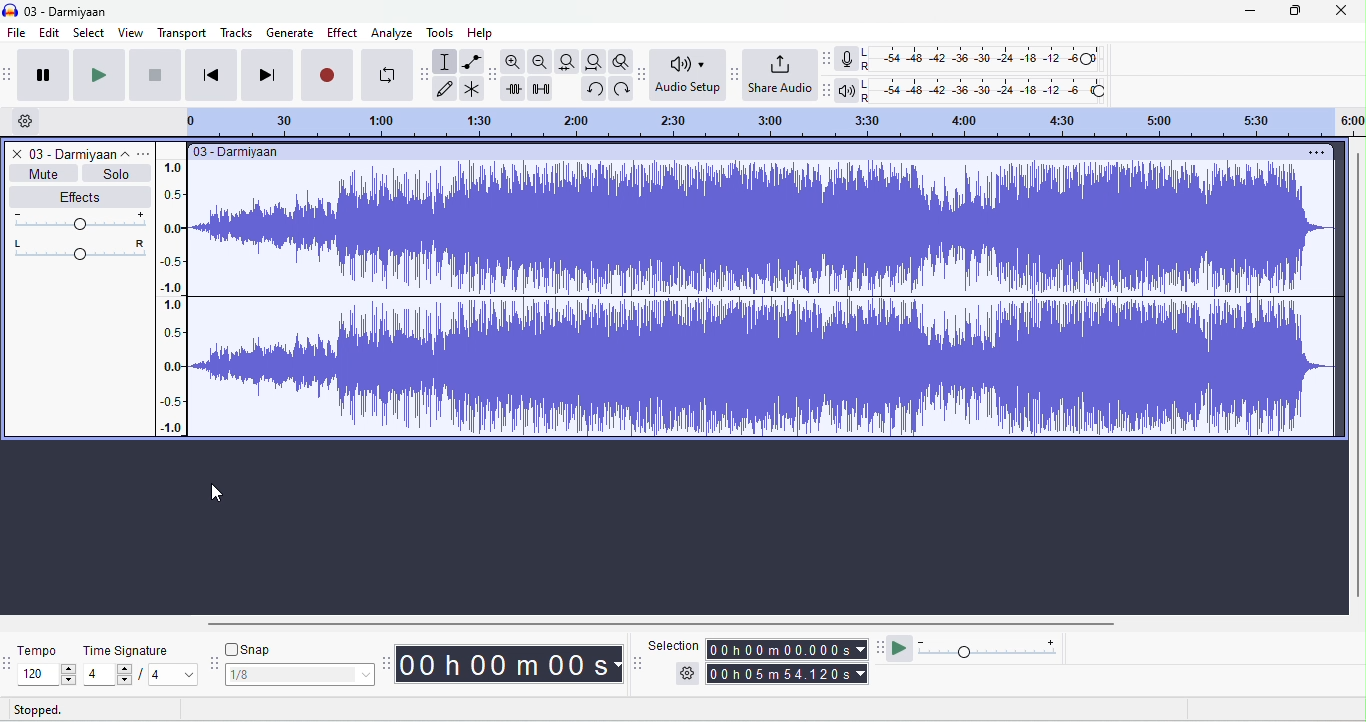 This screenshot has height=722, width=1366. Describe the element at coordinates (655, 624) in the screenshot. I see `horizontal scroll bar` at that location.